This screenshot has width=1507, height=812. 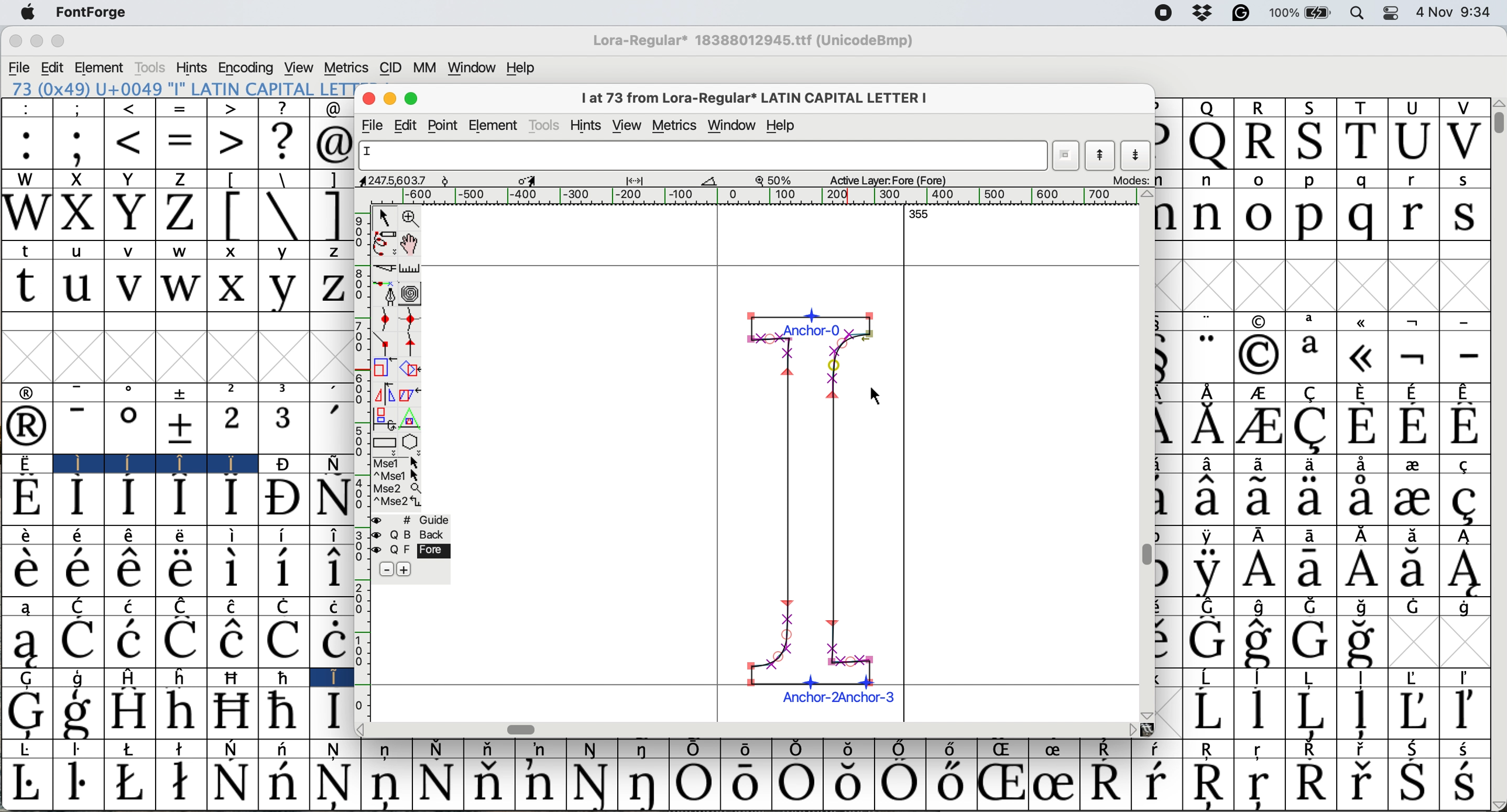 What do you see at coordinates (1466, 536) in the screenshot?
I see `Symbol` at bounding box center [1466, 536].